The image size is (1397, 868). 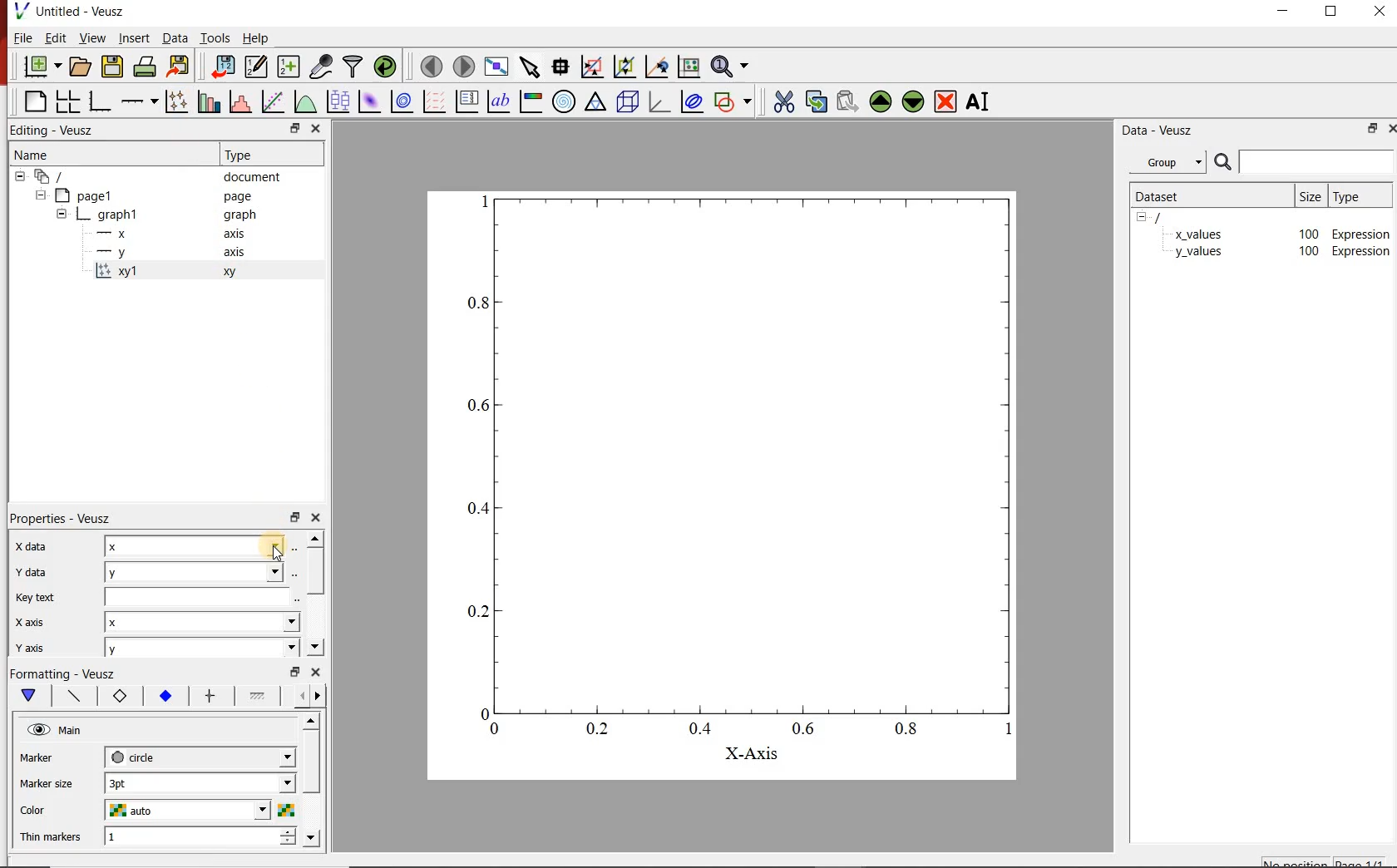 I want to click on plot line, so click(x=77, y=696).